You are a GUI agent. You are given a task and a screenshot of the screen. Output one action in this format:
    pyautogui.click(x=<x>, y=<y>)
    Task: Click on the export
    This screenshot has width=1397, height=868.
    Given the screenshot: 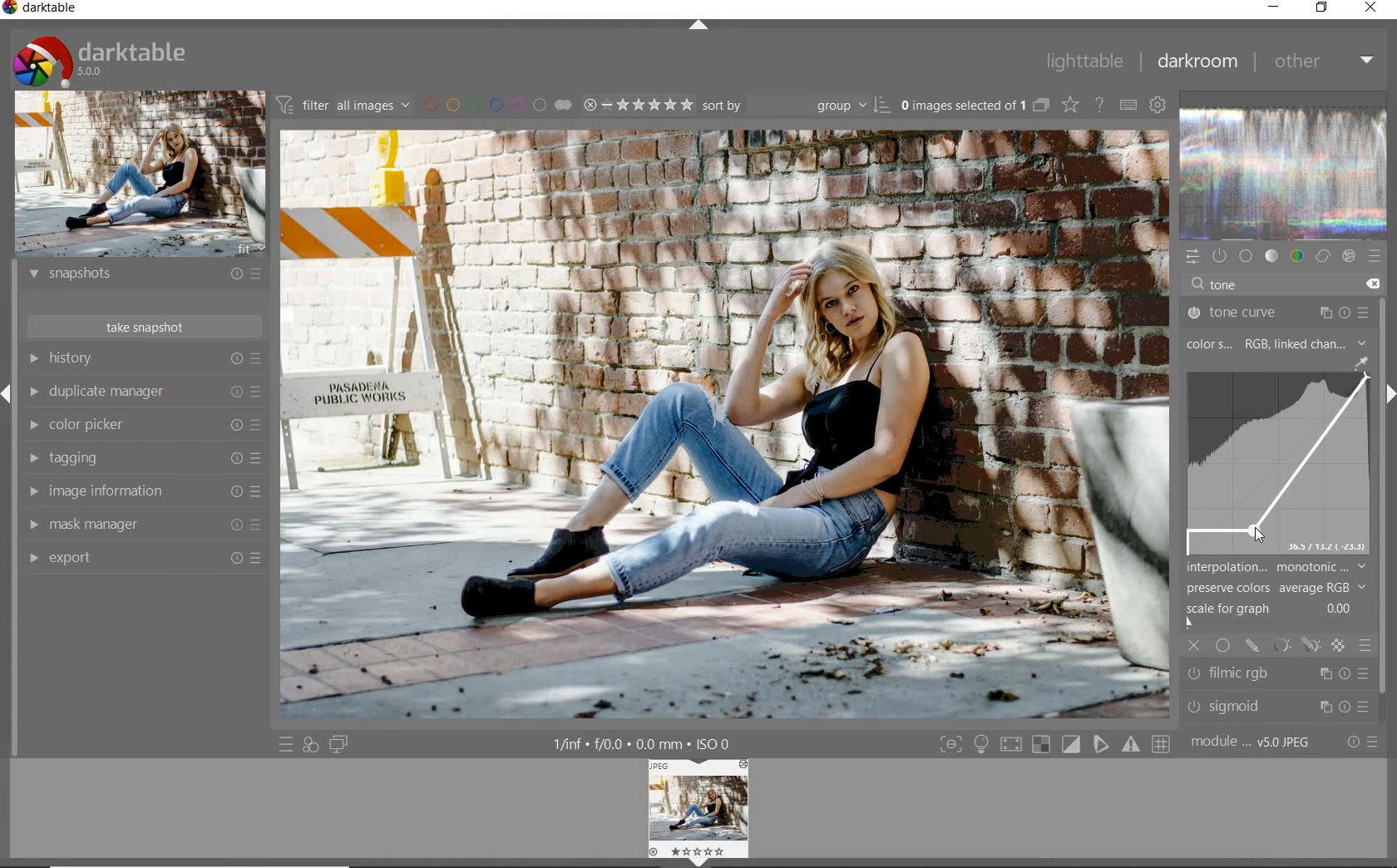 What is the action you would take?
    pyautogui.click(x=141, y=557)
    